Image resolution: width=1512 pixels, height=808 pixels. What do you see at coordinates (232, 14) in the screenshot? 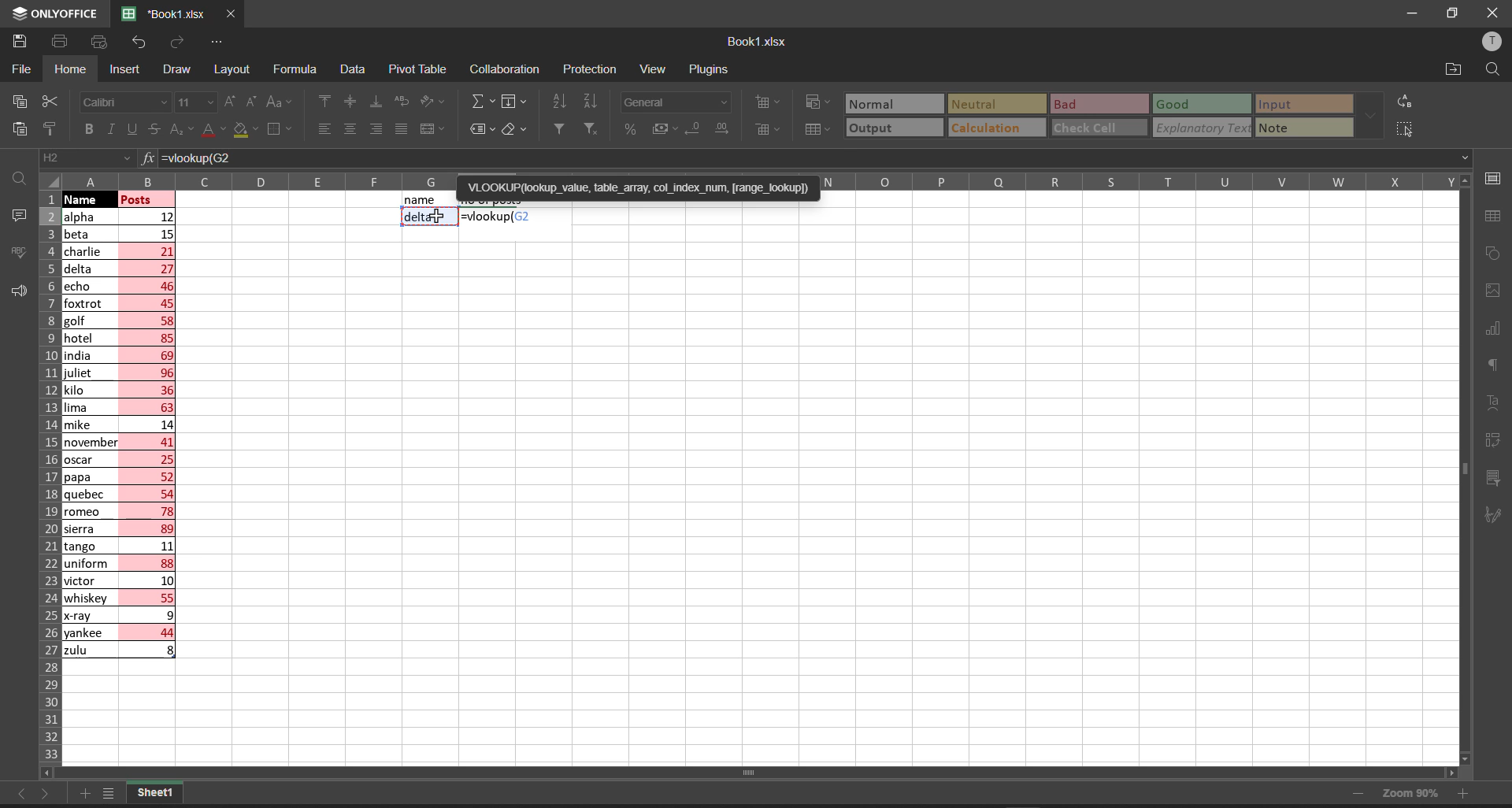
I see `close workbook` at bounding box center [232, 14].